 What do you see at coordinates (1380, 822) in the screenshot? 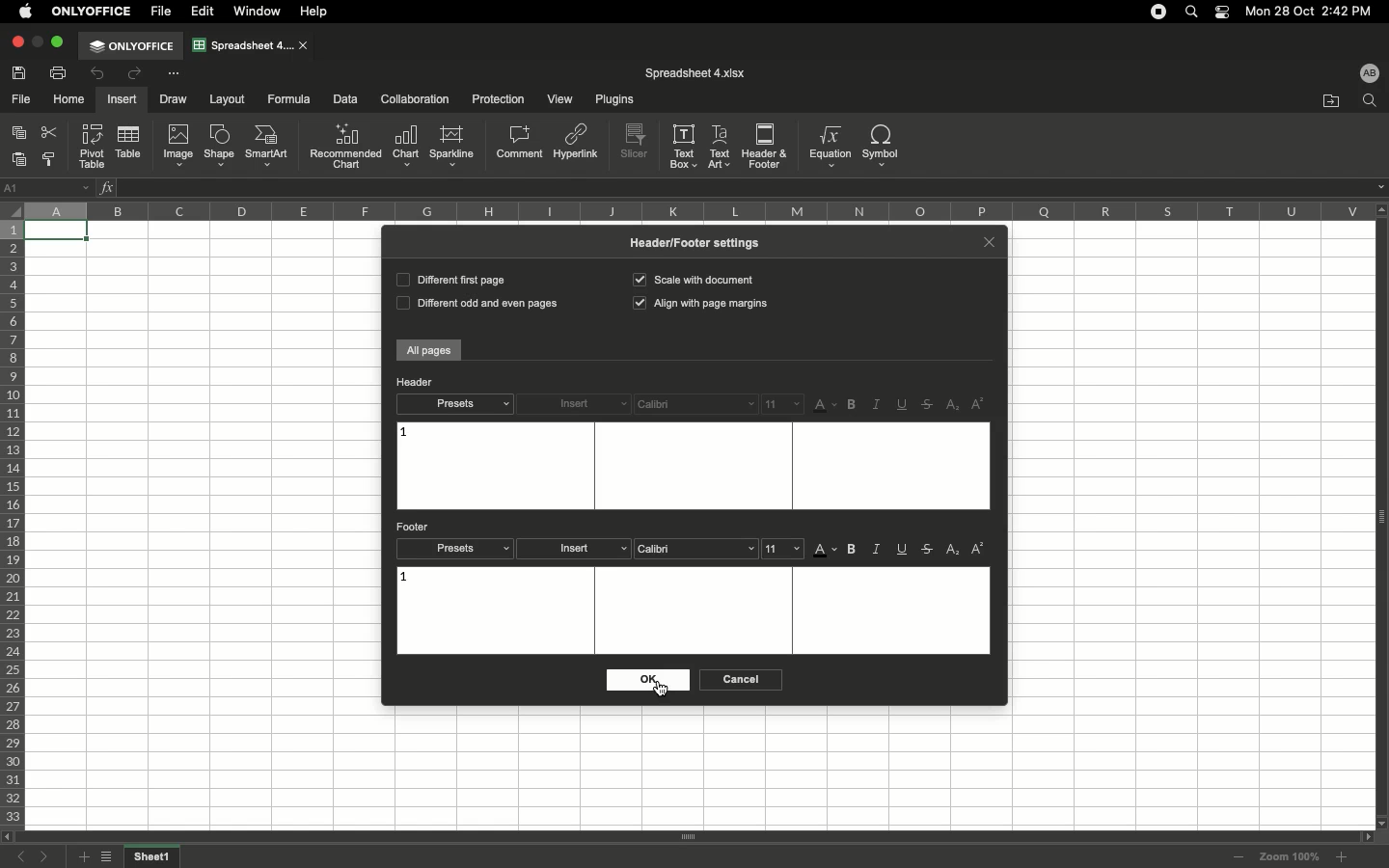
I see `scroll down` at bounding box center [1380, 822].